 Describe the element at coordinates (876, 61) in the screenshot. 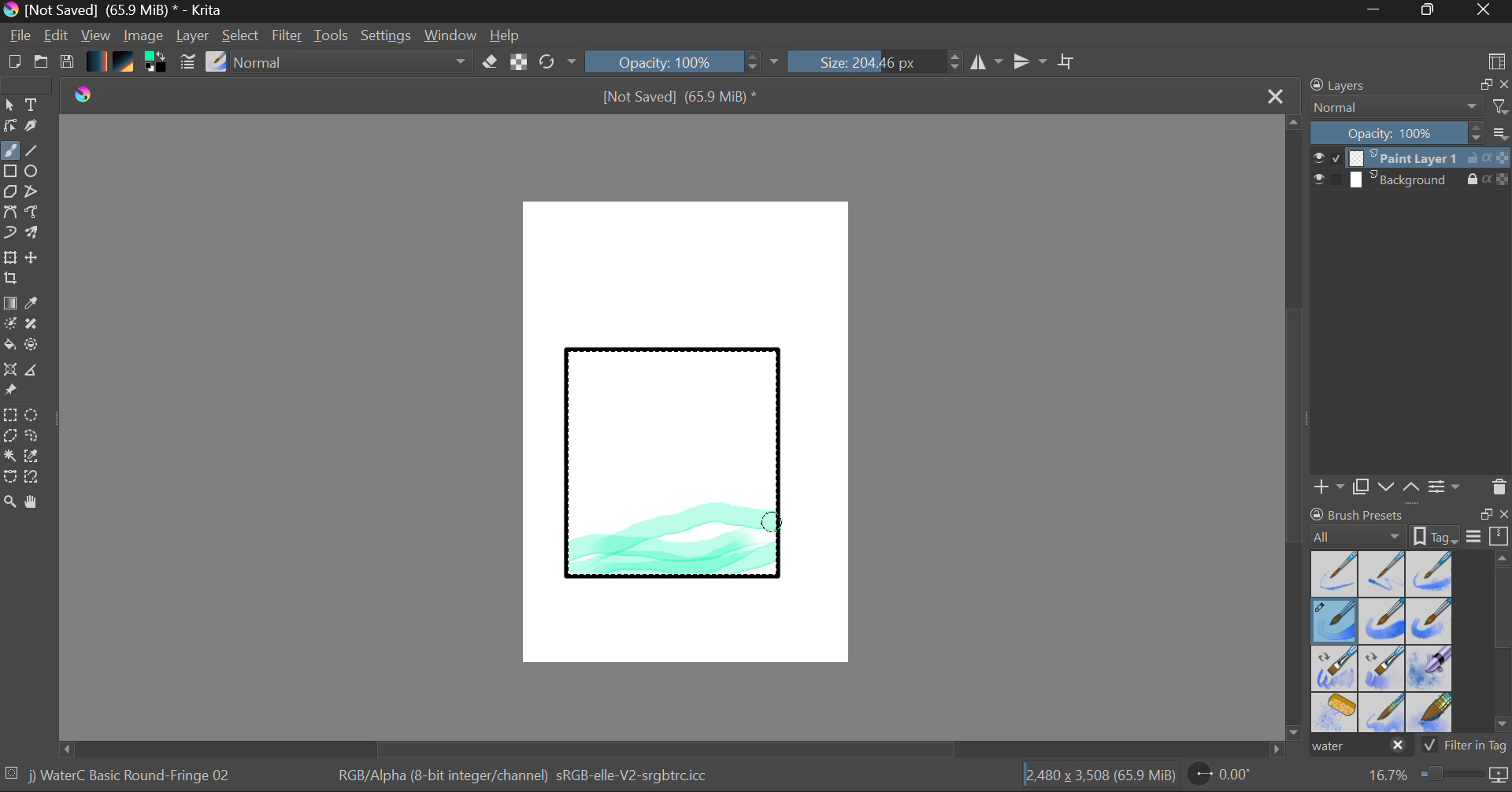

I see `Brush Size` at that location.